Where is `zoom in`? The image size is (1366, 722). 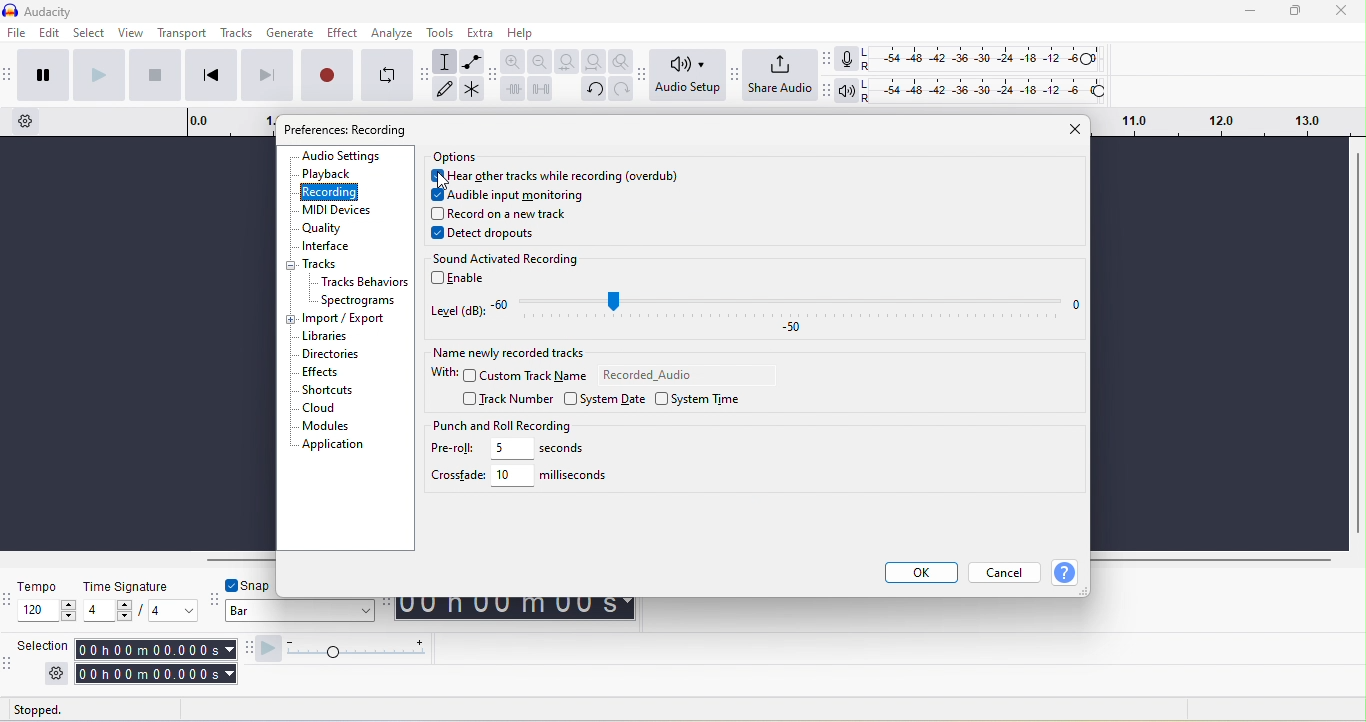
zoom in is located at coordinates (513, 63).